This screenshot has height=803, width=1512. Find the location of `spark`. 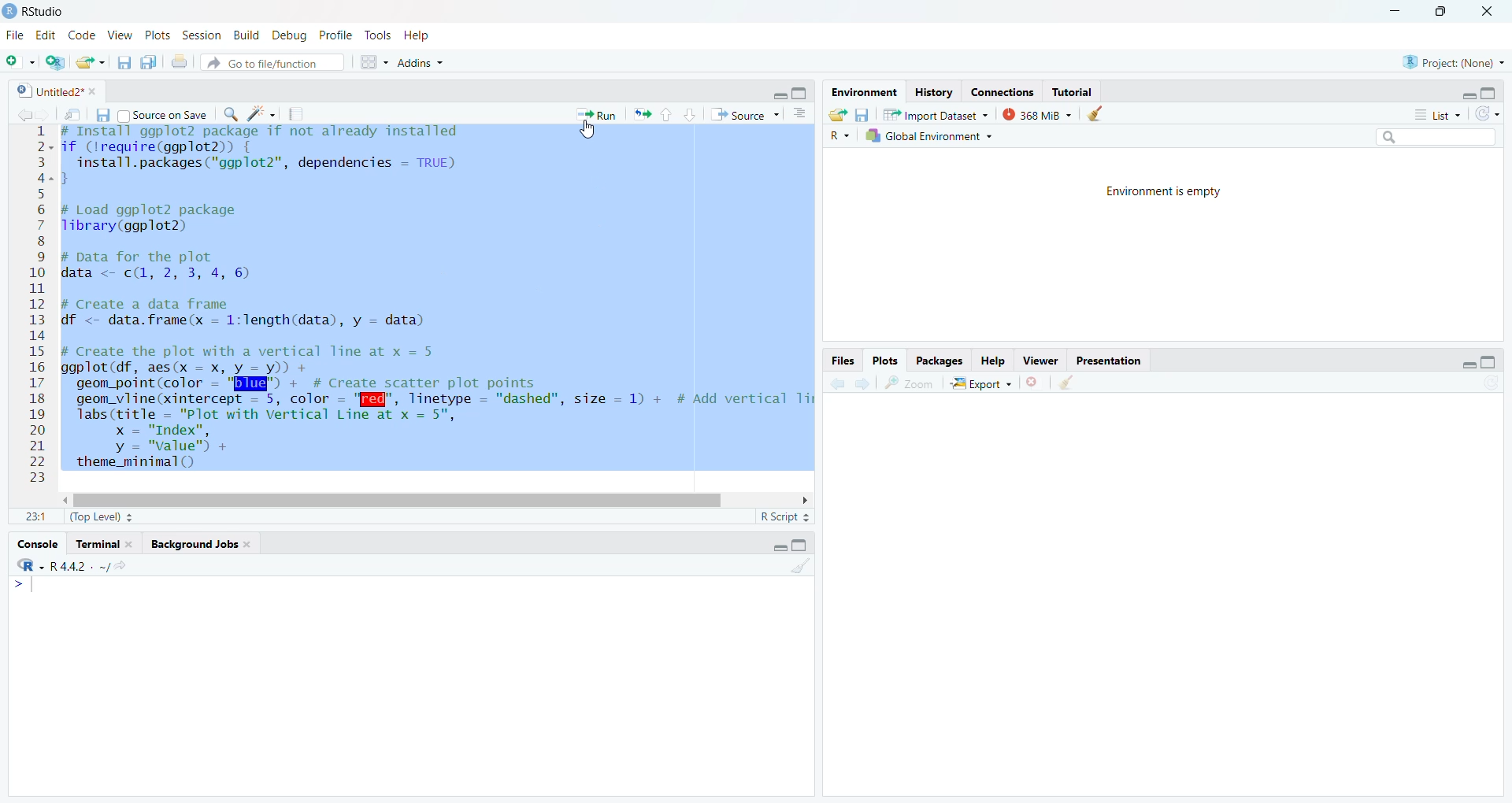

spark is located at coordinates (260, 113).